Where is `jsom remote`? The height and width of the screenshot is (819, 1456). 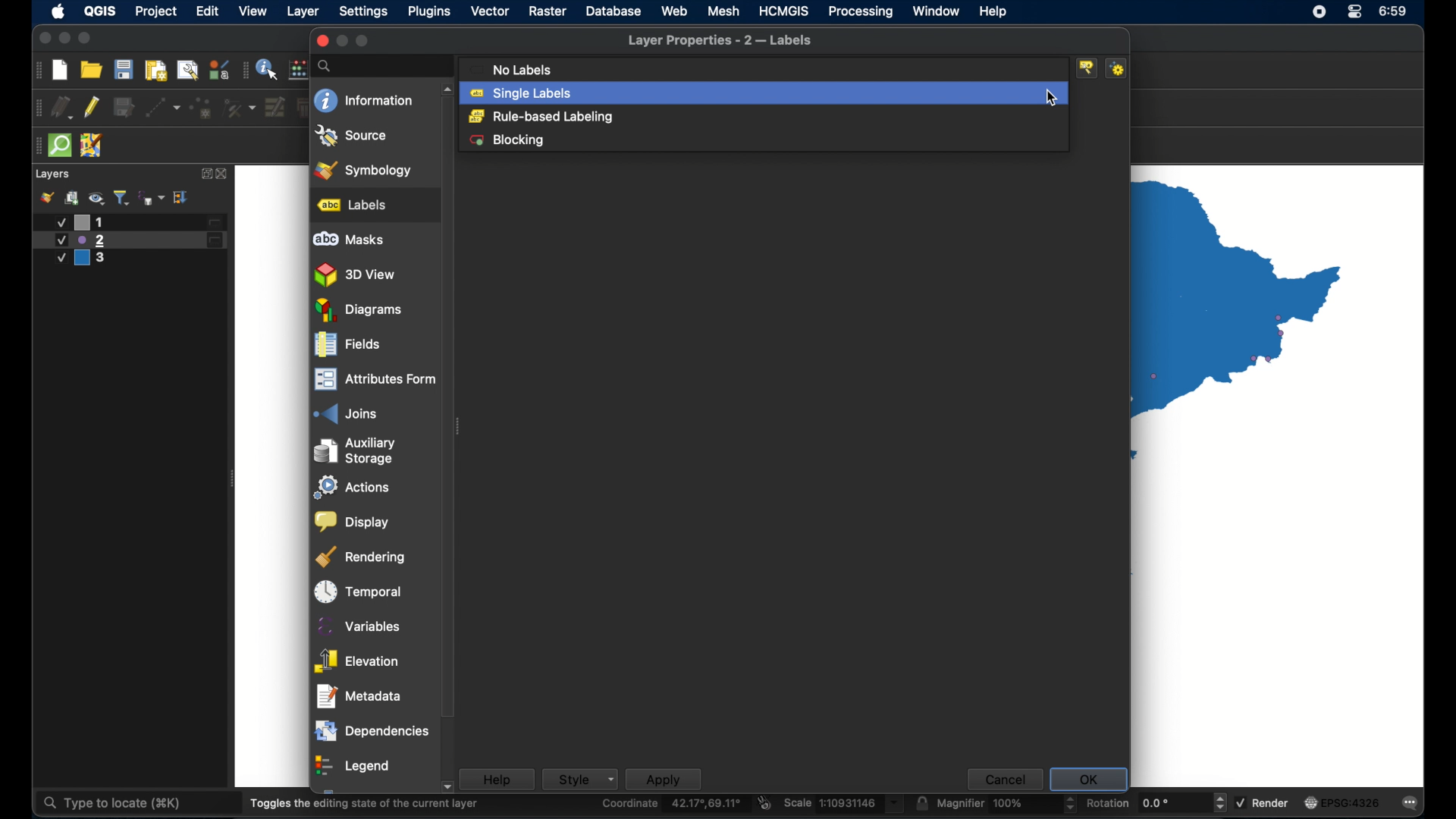 jsom remote is located at coordinates (92, 145).